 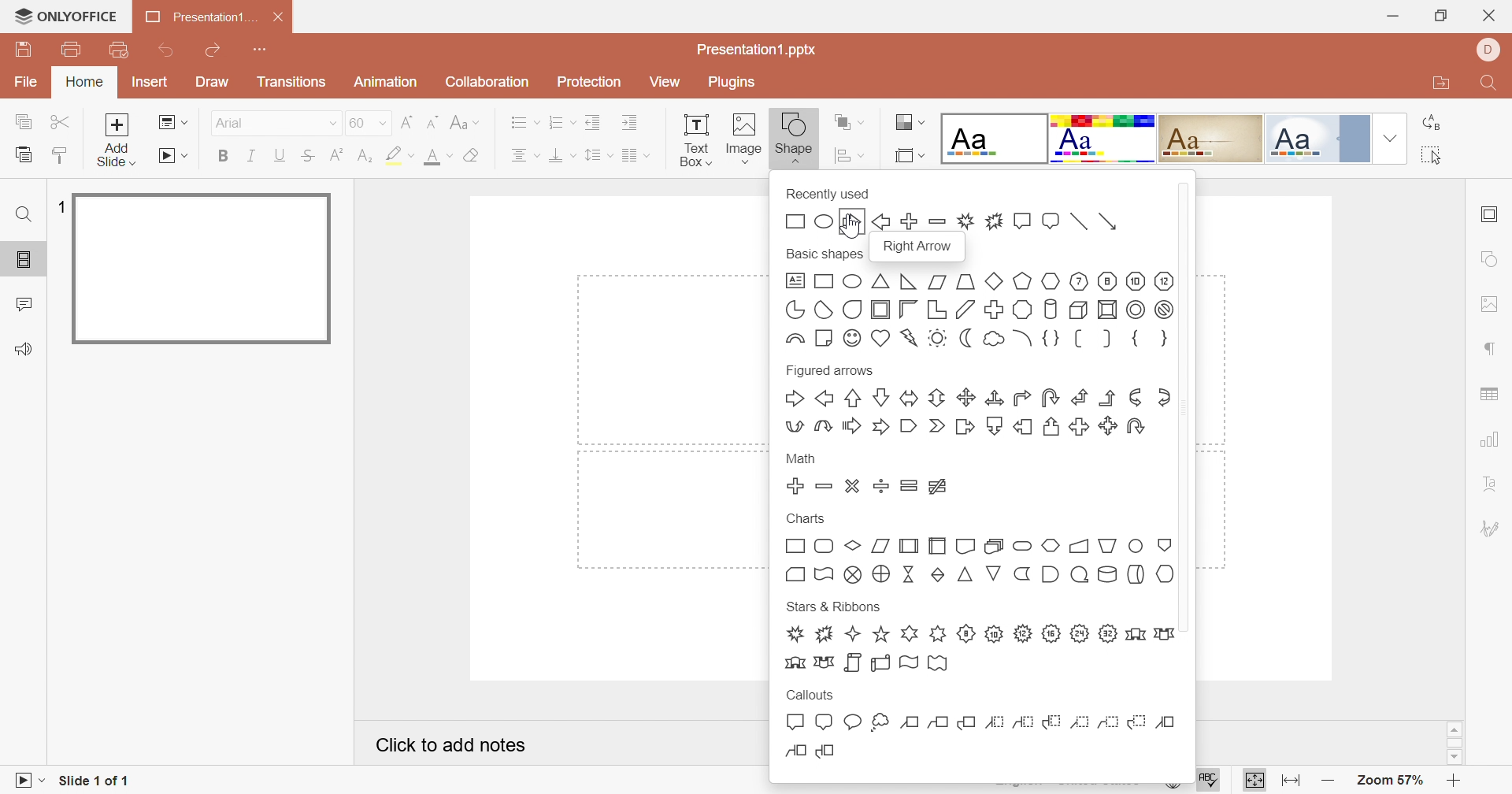 I want to click on Underline, so click(x=280, y=157).